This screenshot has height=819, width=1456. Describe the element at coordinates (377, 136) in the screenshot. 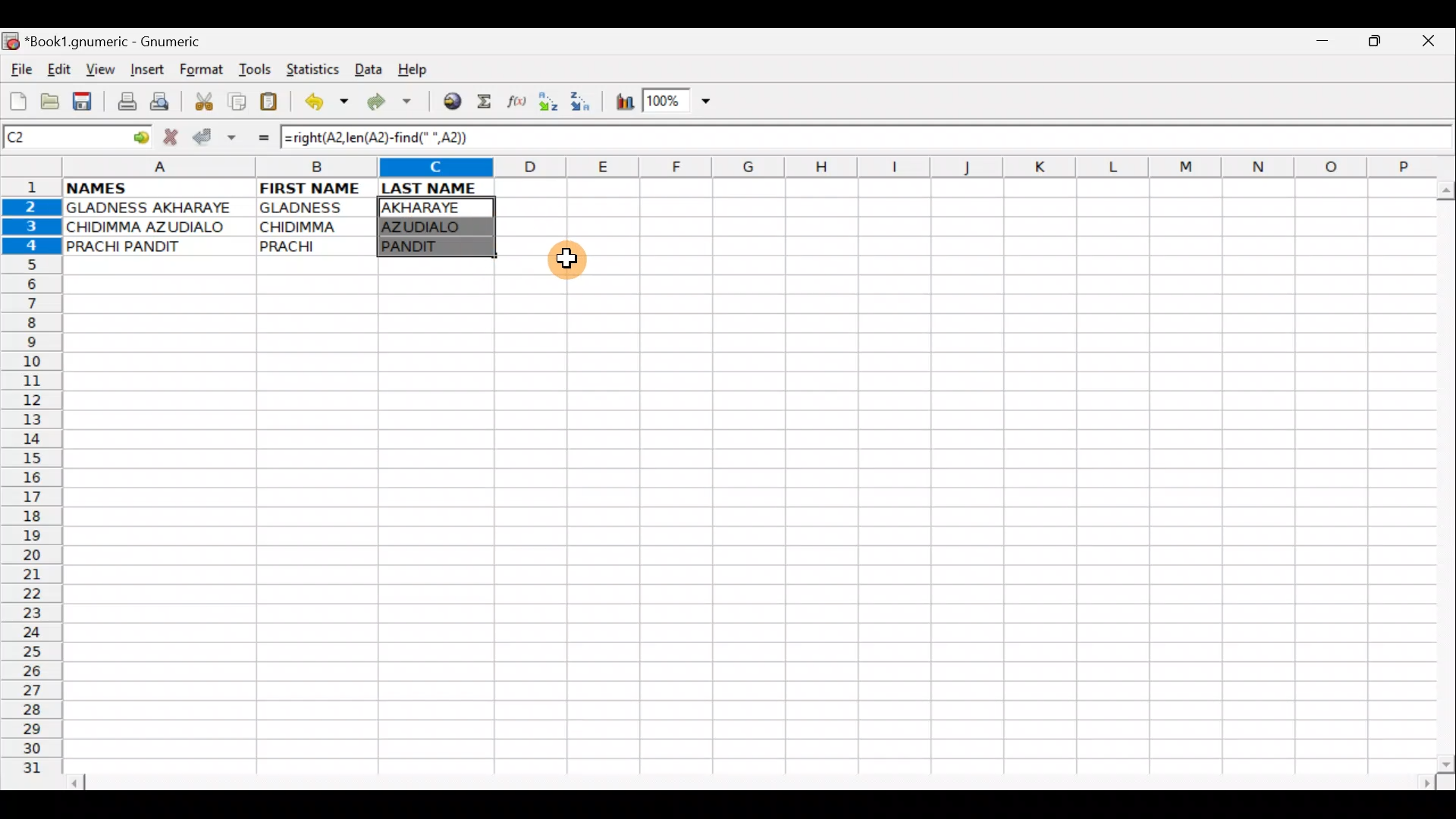

I see `=right(A2, len(A2)-find(" ",A2))` at that location.